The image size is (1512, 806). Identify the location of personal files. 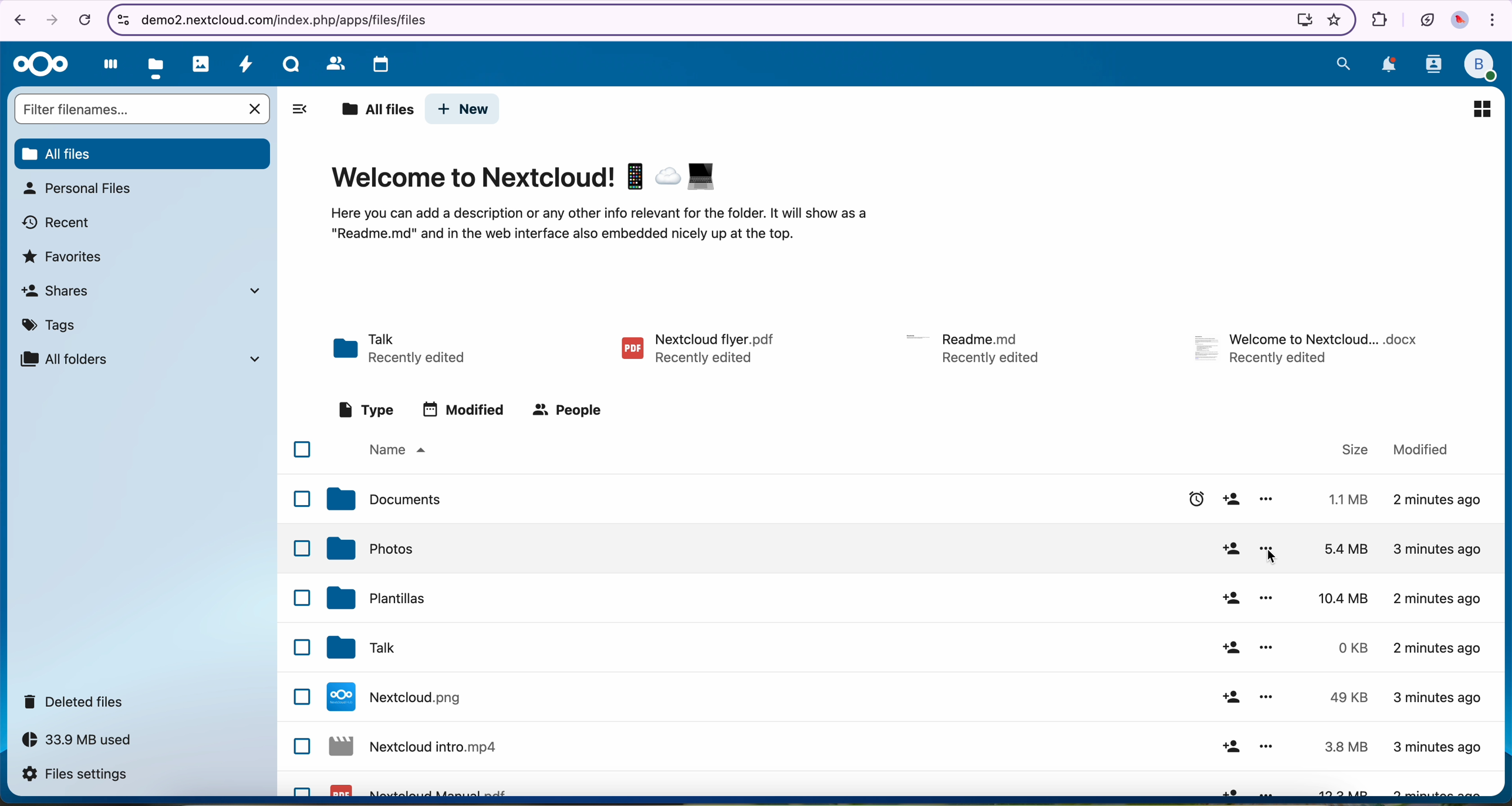
(82, 190).